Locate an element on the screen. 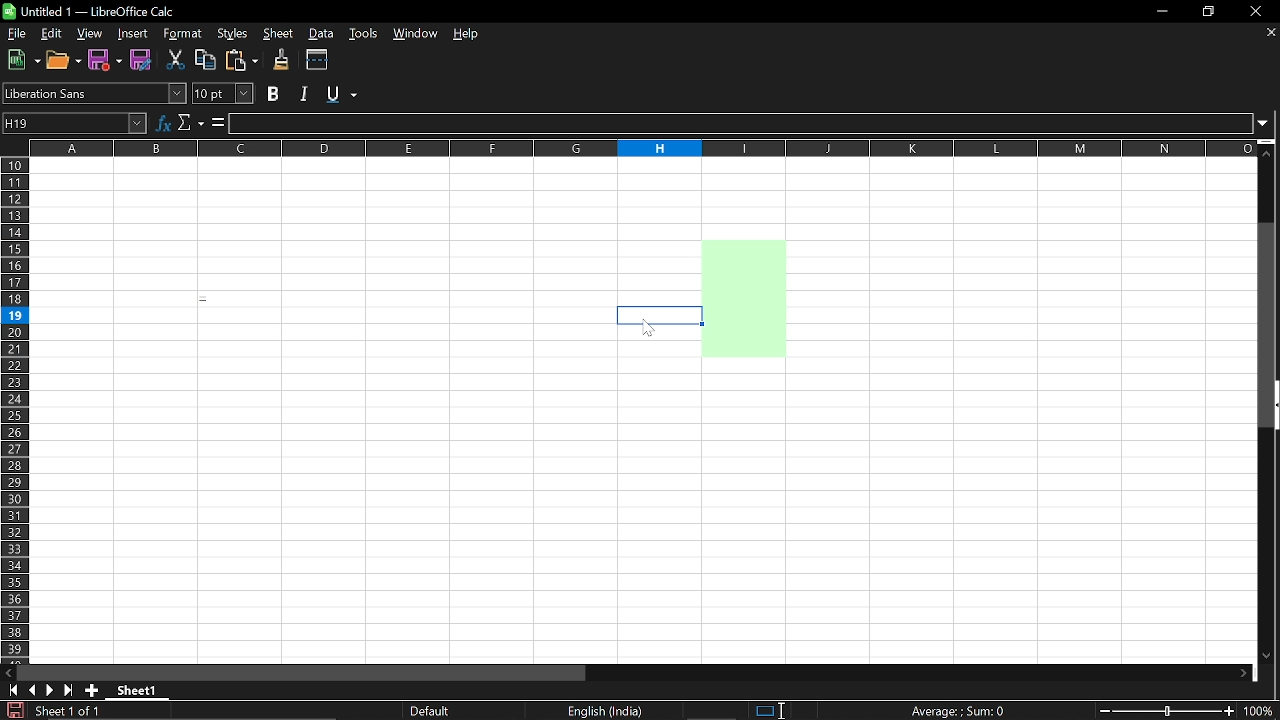  Styles is located at coordinates (229, 34).